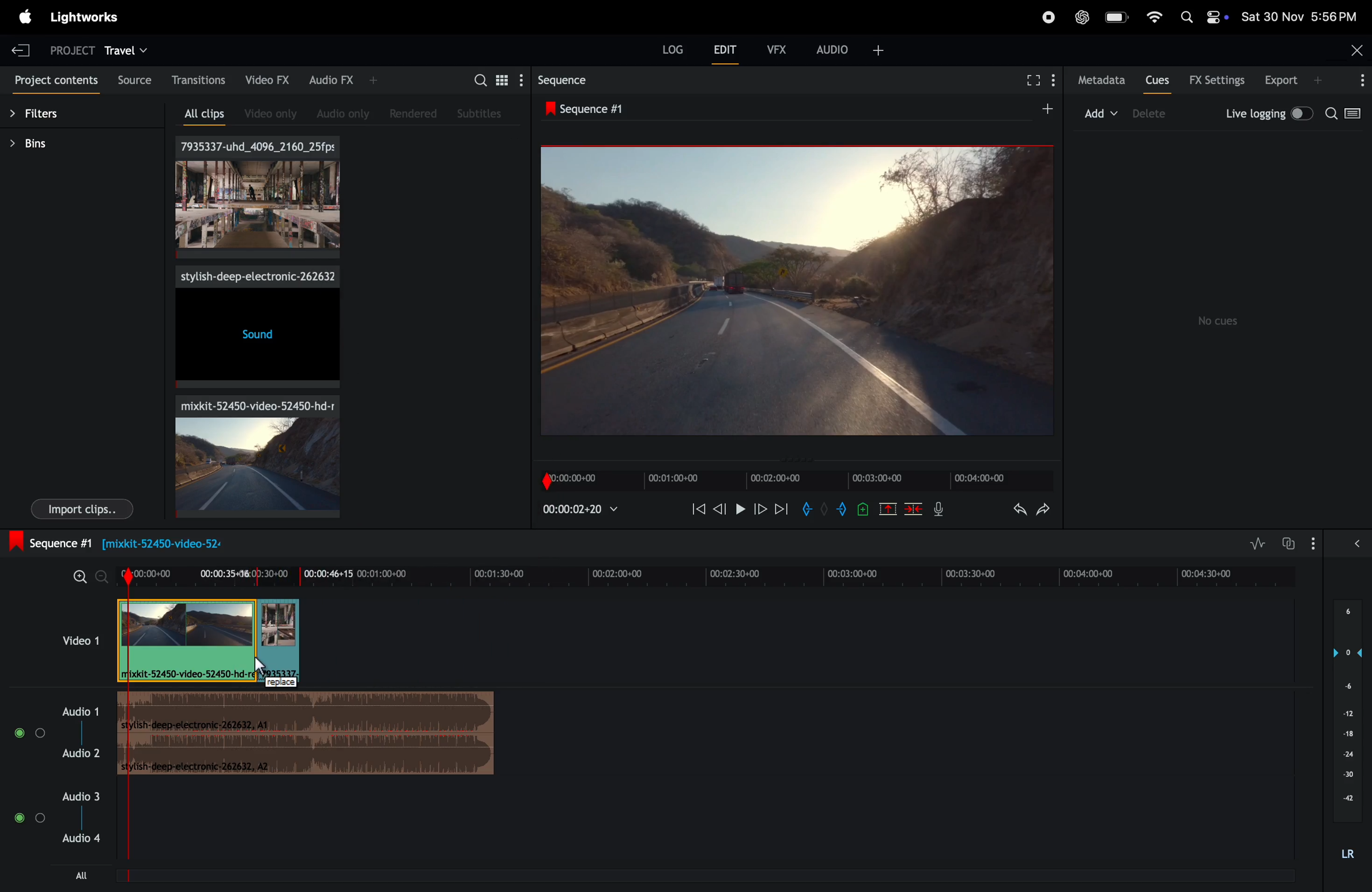  What do you see at coordinates (1359, 80) in the screenshot?
I see `options` at bounding box center [1359, 80].